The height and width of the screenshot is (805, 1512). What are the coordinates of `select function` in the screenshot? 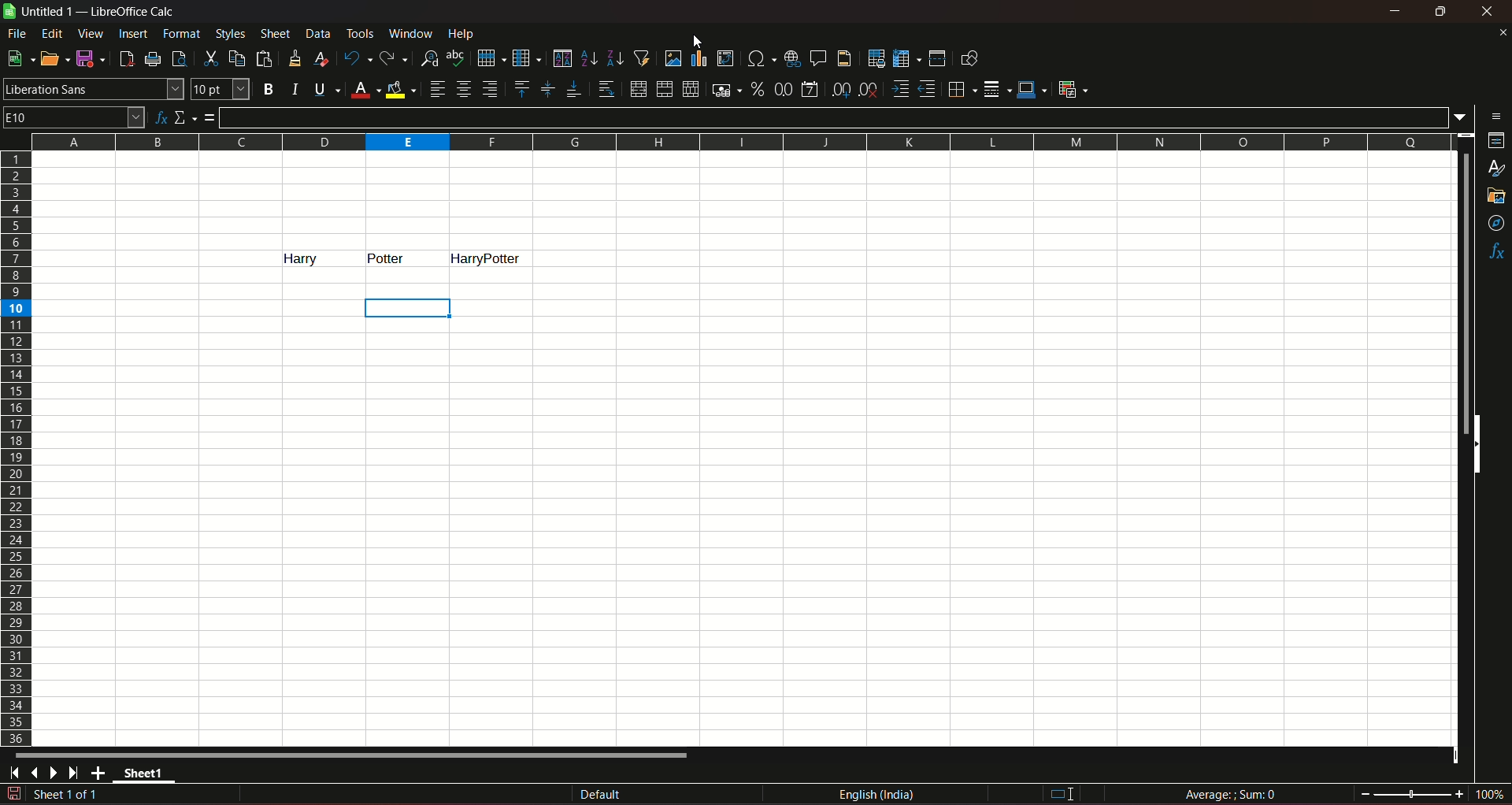 It's located at (186, 117).